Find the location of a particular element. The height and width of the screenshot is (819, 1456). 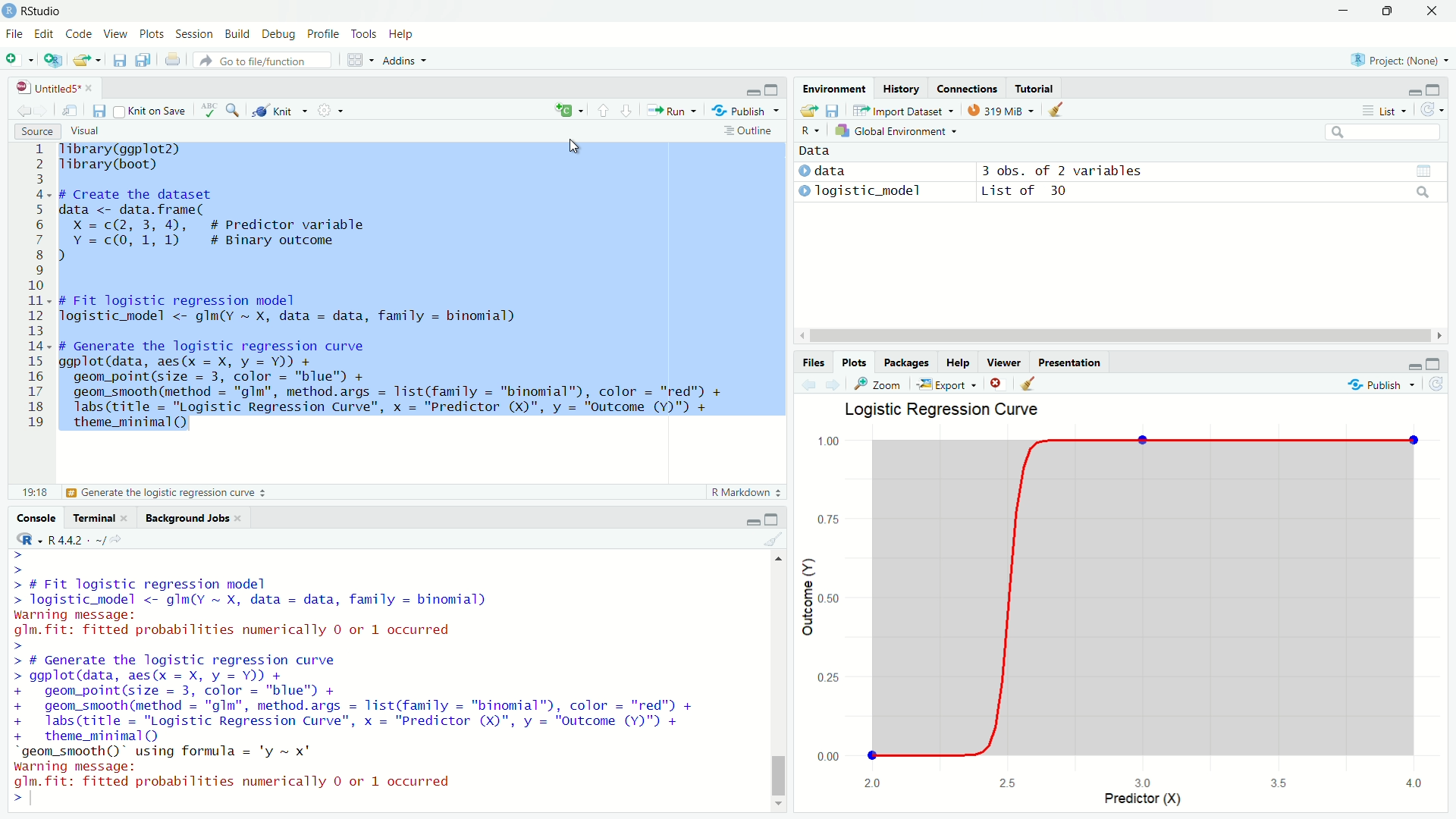

Go forward to next source location is located at coordinates (44, 111).